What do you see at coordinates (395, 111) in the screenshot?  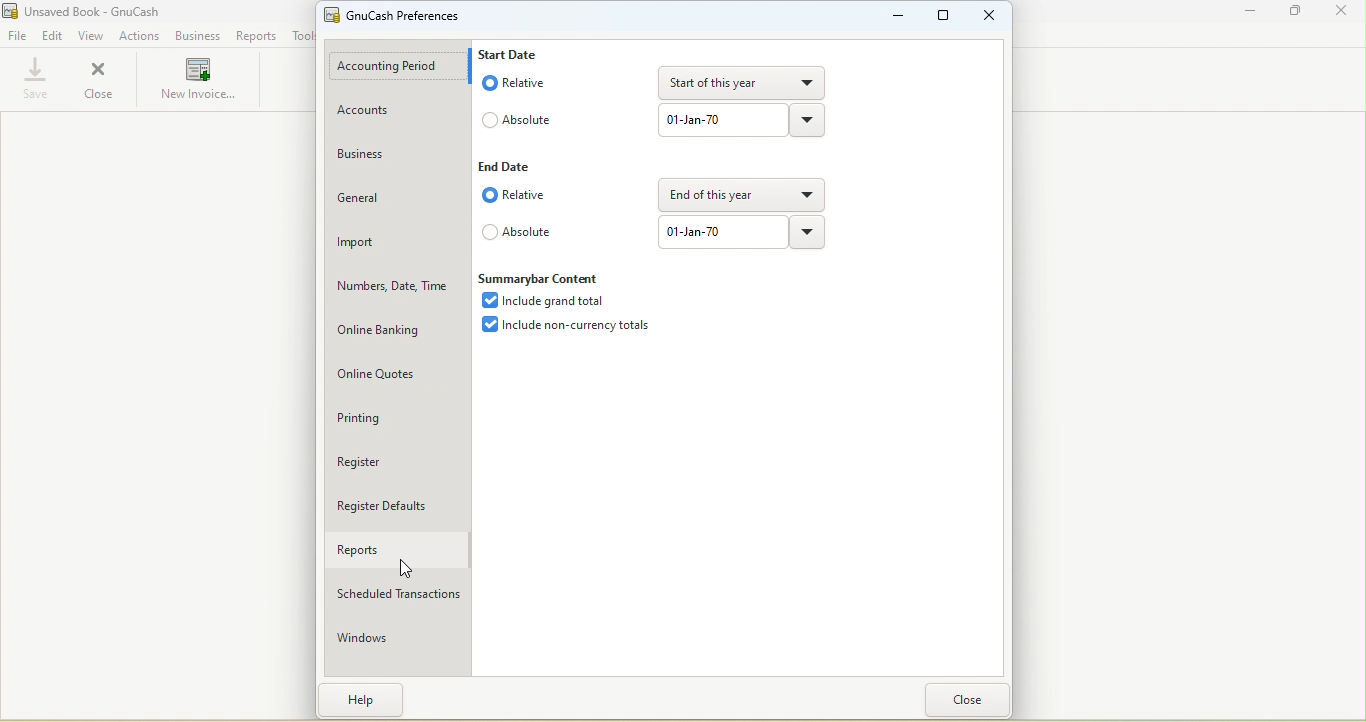 I see `Accounts` at bounding box center [395, 111].